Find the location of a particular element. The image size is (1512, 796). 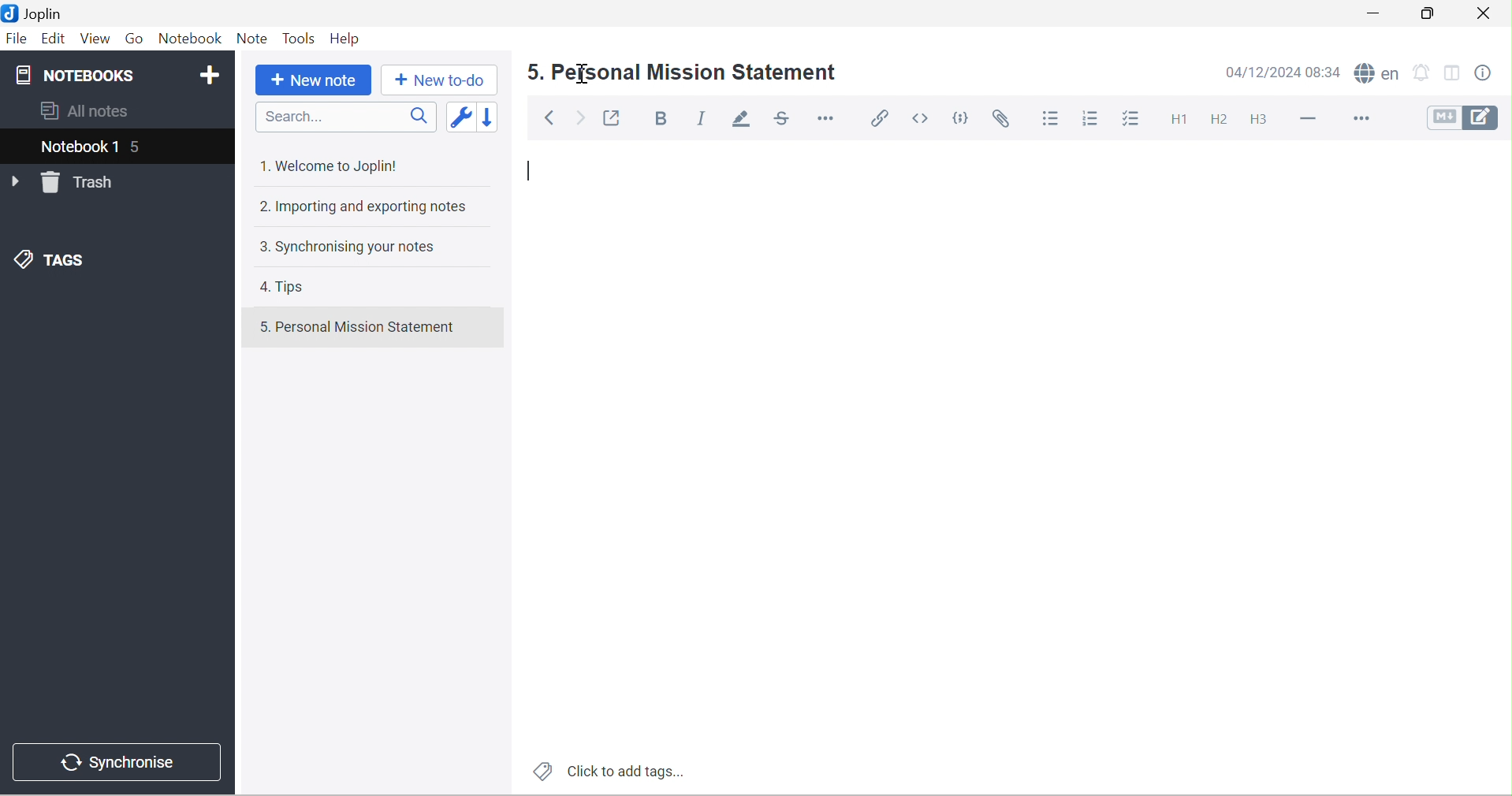

Forward is located at coordinates (582, 117).